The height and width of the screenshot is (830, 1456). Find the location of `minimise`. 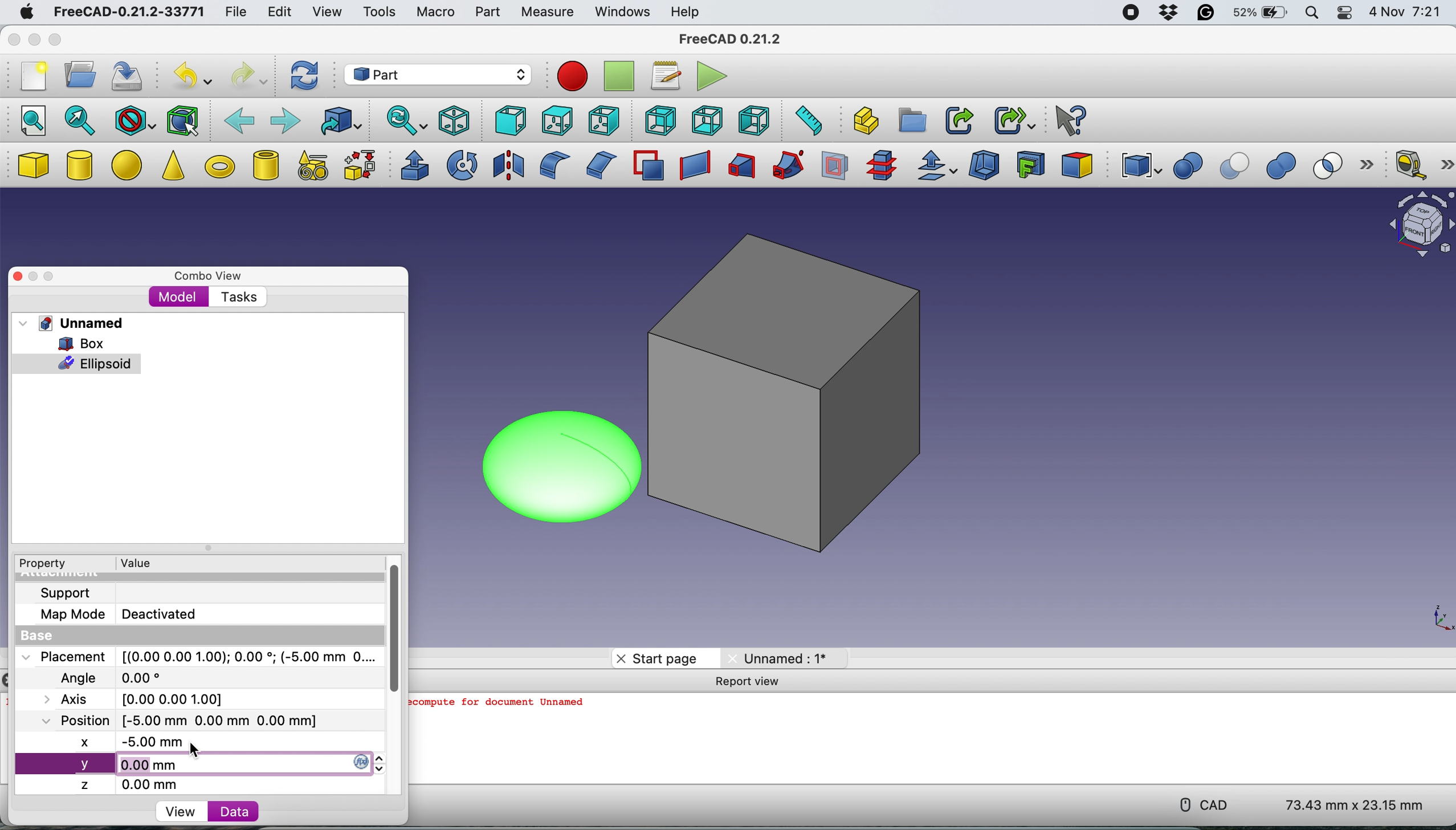

minimise is located at coordinates (32, 40).